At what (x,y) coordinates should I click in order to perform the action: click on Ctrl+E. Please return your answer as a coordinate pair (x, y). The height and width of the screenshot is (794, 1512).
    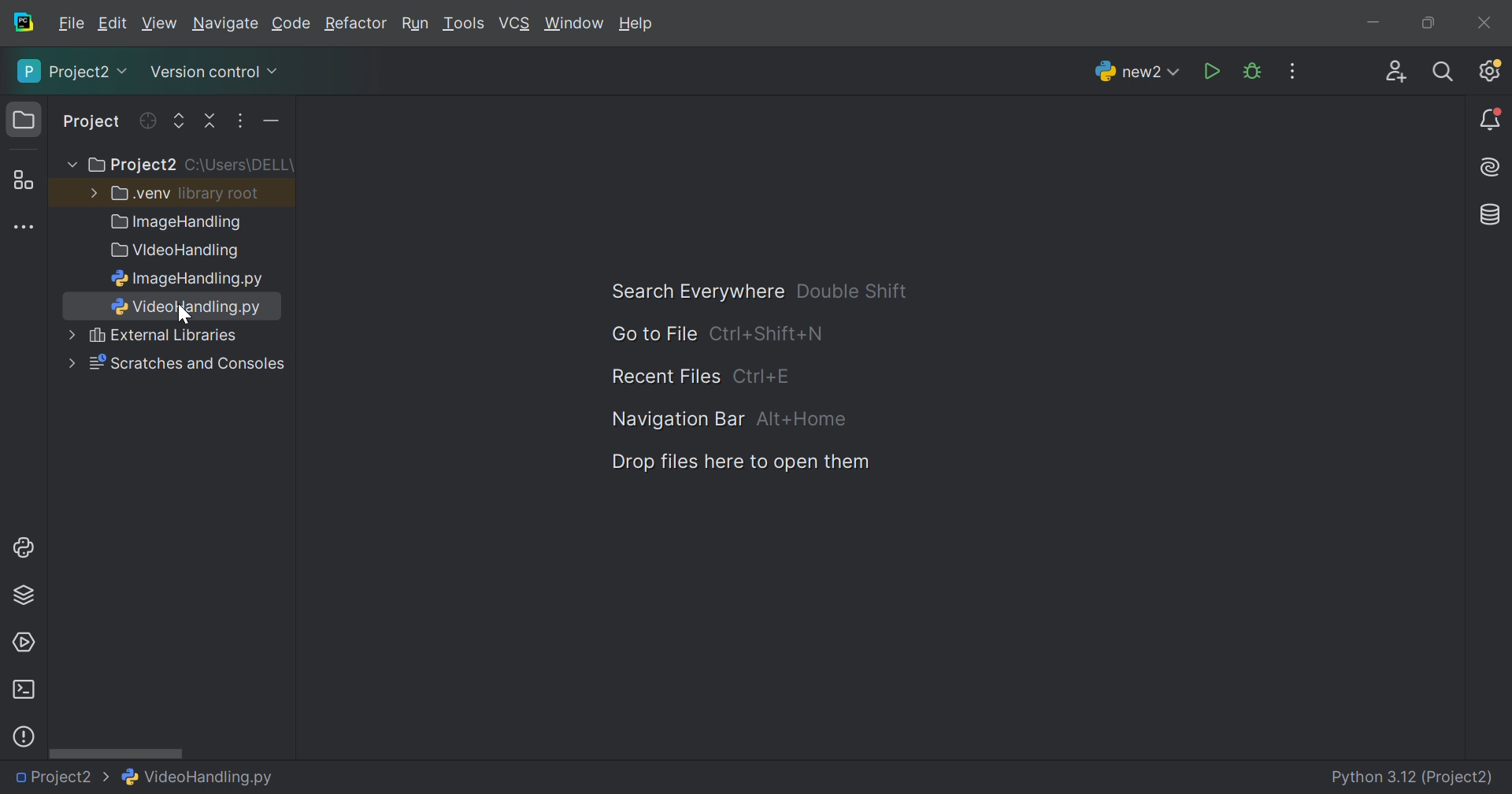
    Looking at the image, I should click on (762, 376).